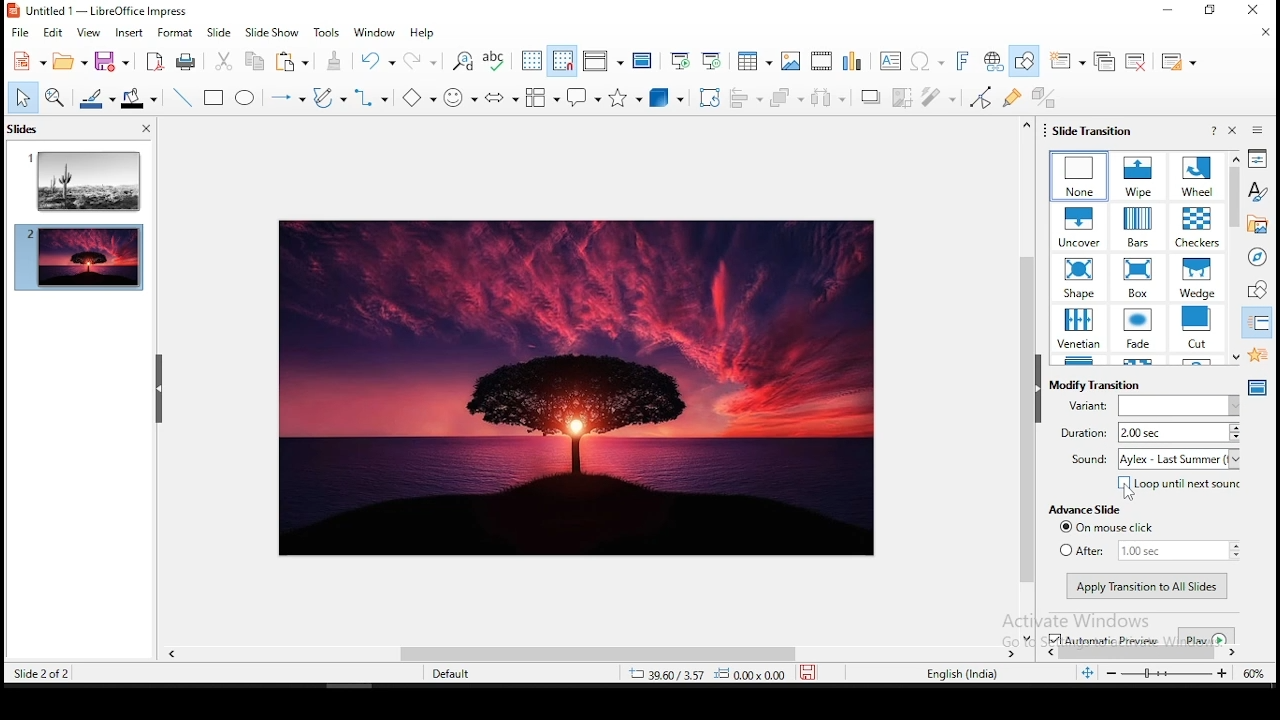 This screenshot has height=720, width=1280. Describe the element at coordinates (328, 98) in the screenshot. I see `curves and polygons` at that location.